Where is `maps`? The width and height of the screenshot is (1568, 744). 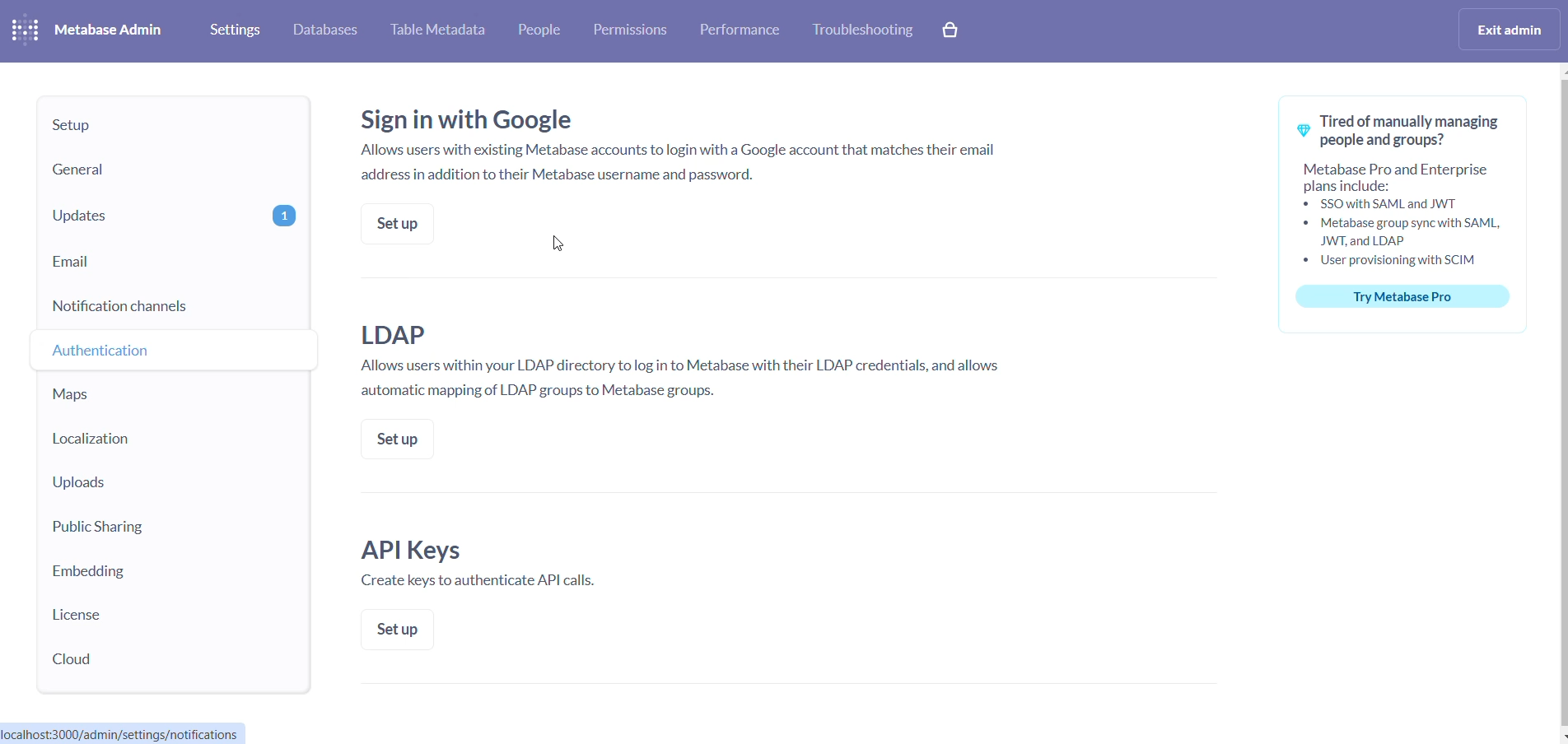 maps is located at coordinates (133, 399).